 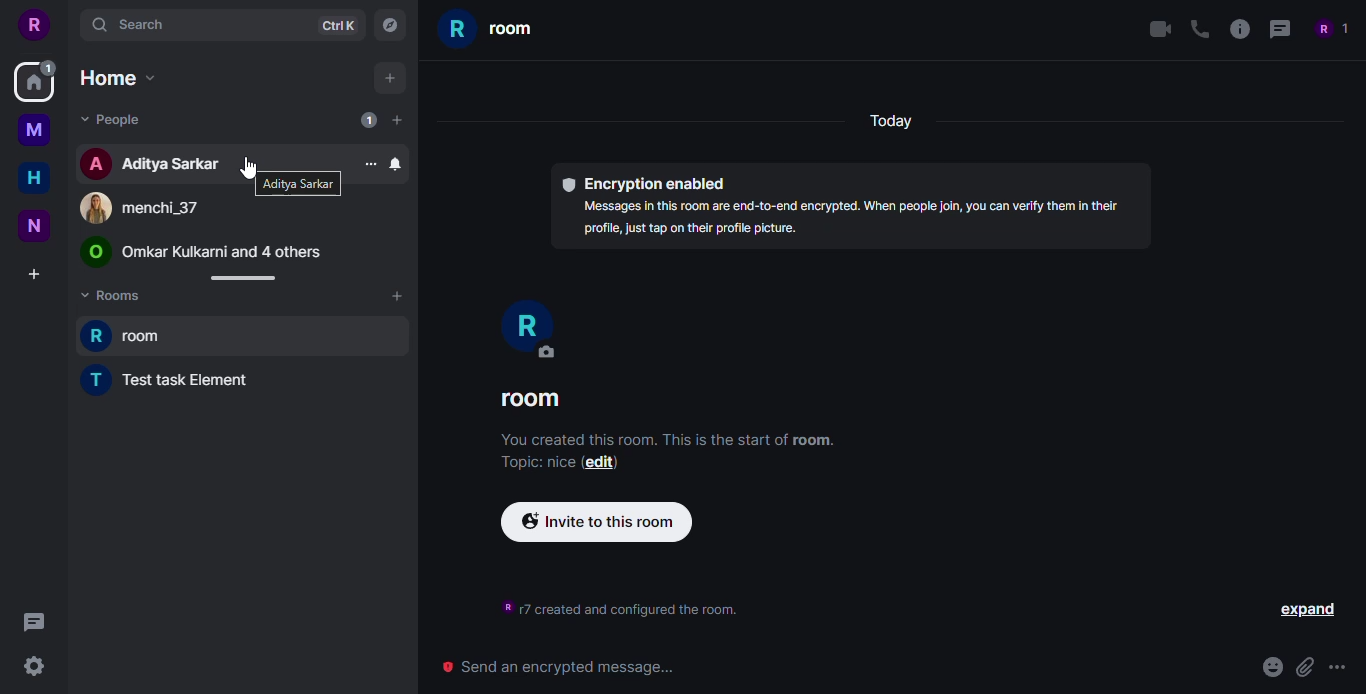 I want to click on quick settings, so click(x=33, y=665).